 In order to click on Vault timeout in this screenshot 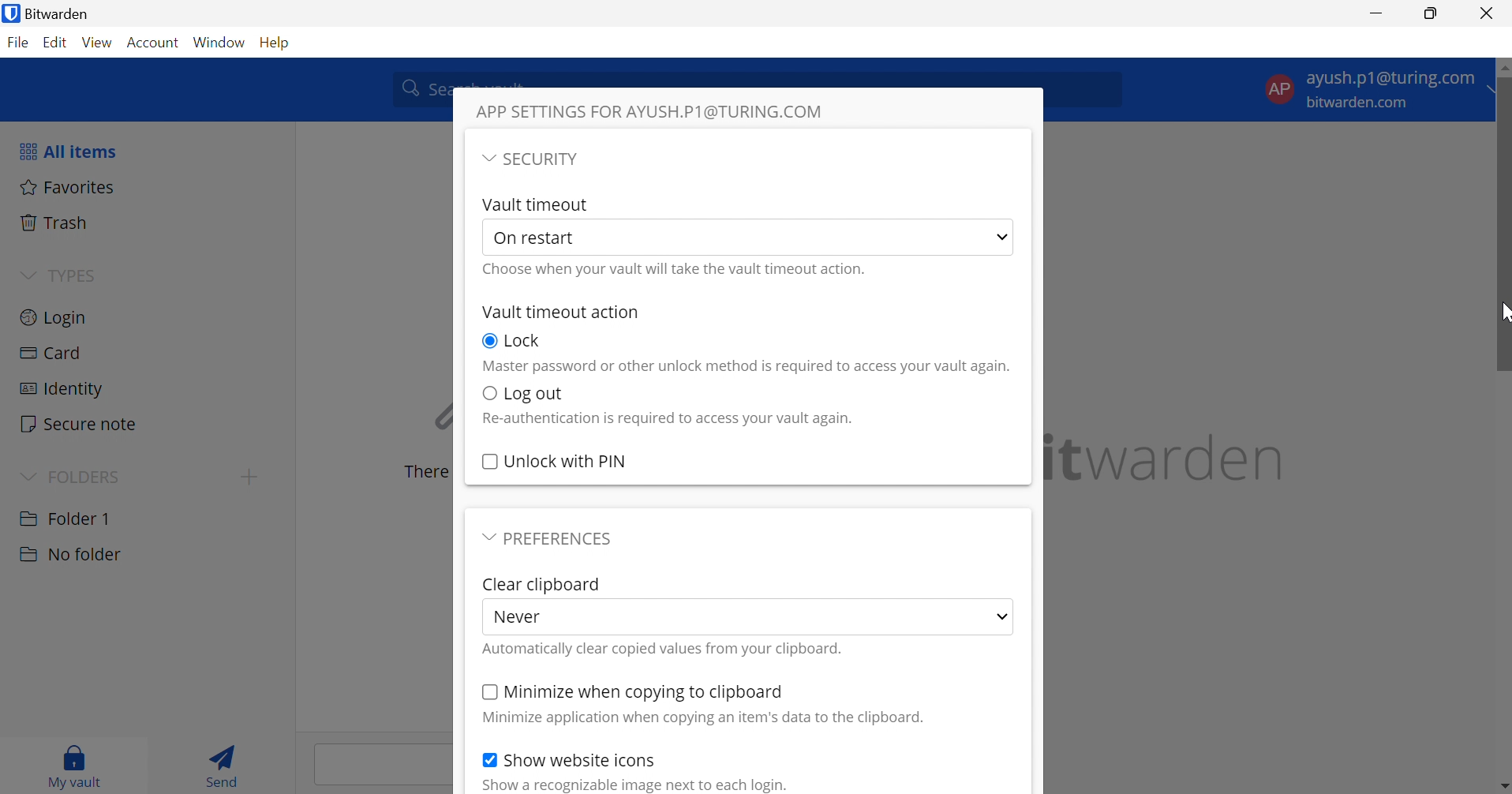, I will do `click(537, 204)`.